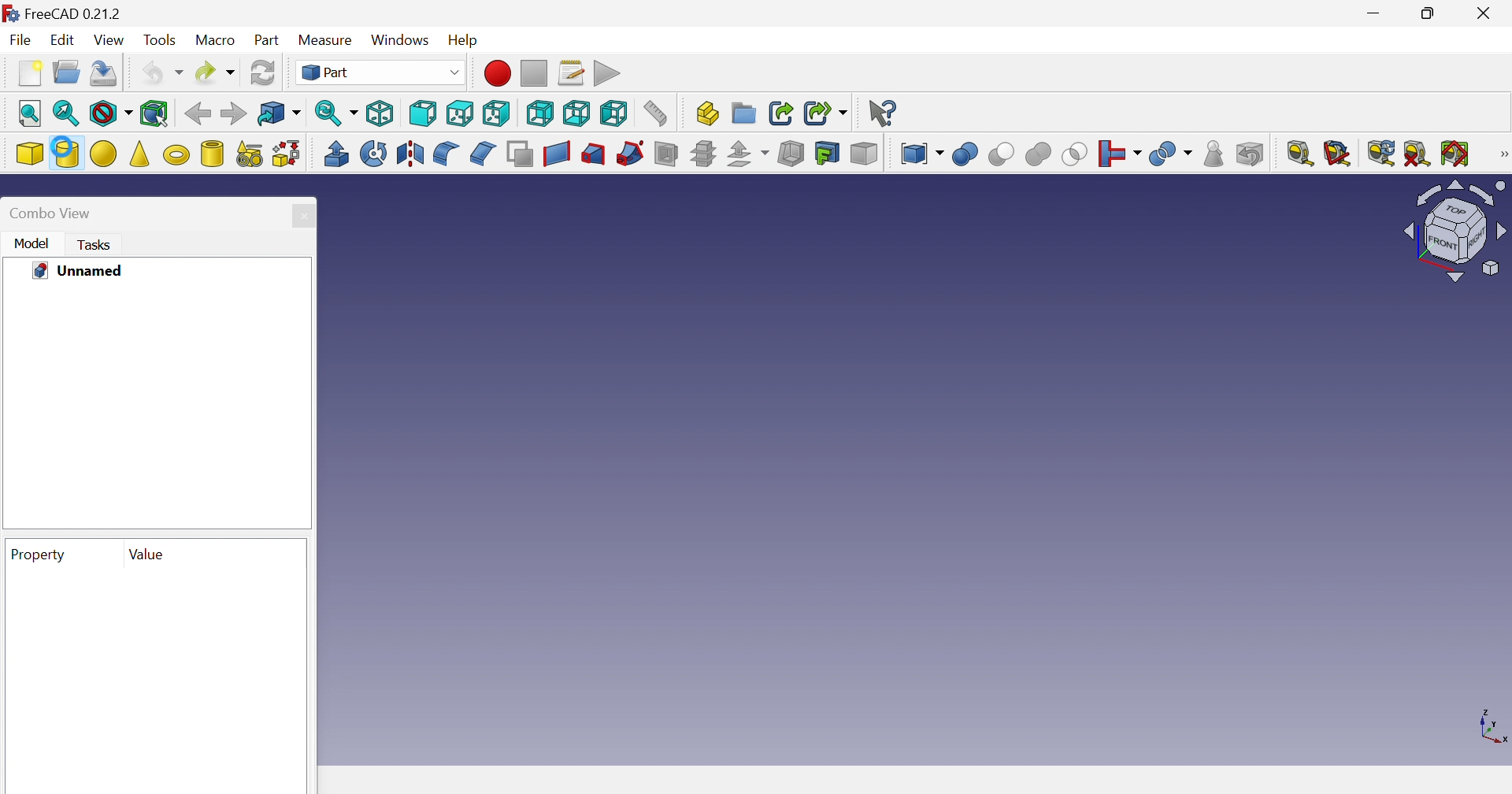  I want to click on New, so click(27, 74).